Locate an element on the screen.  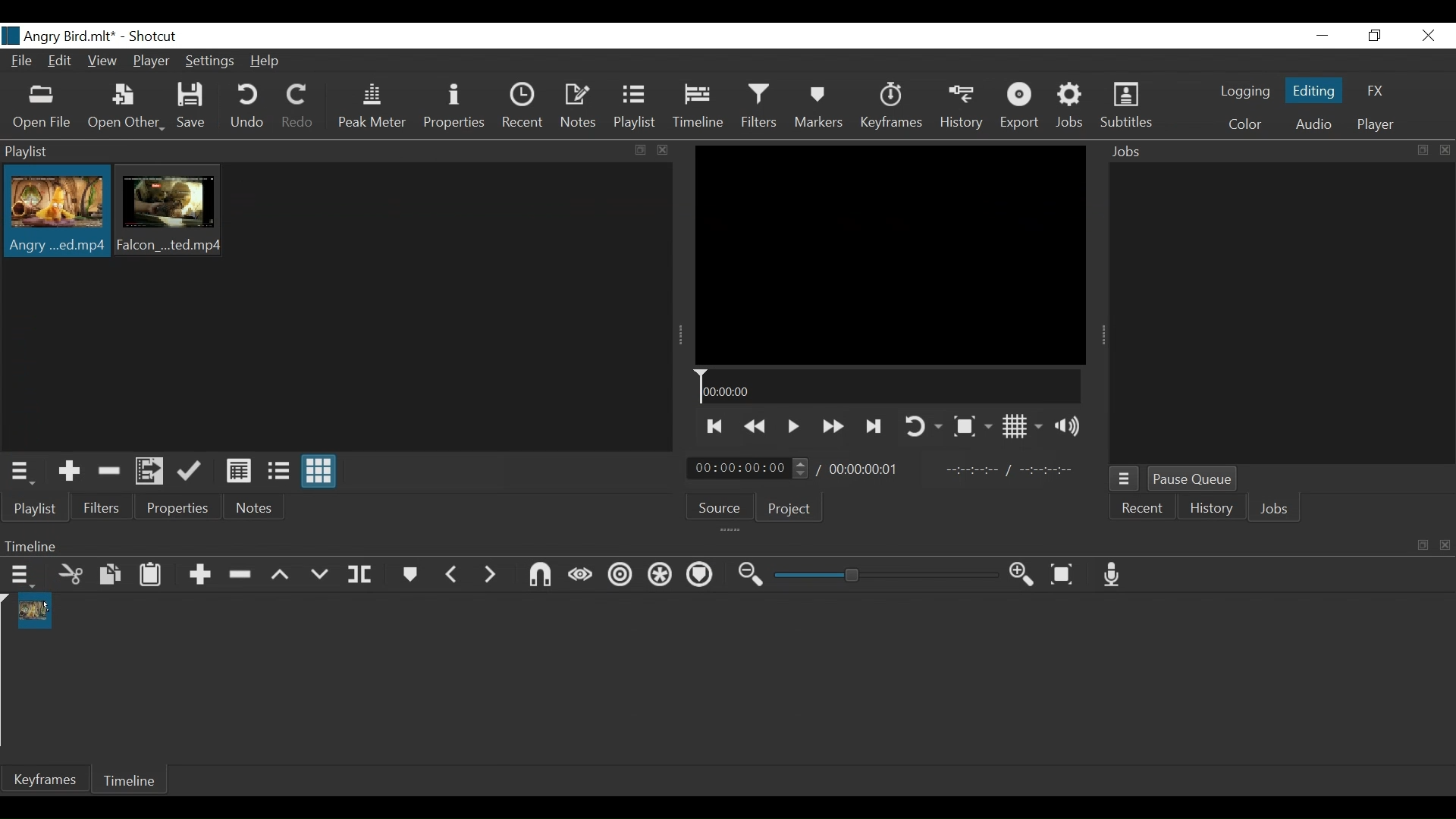
Scrub while dragging is located at coordinates (580, 576).